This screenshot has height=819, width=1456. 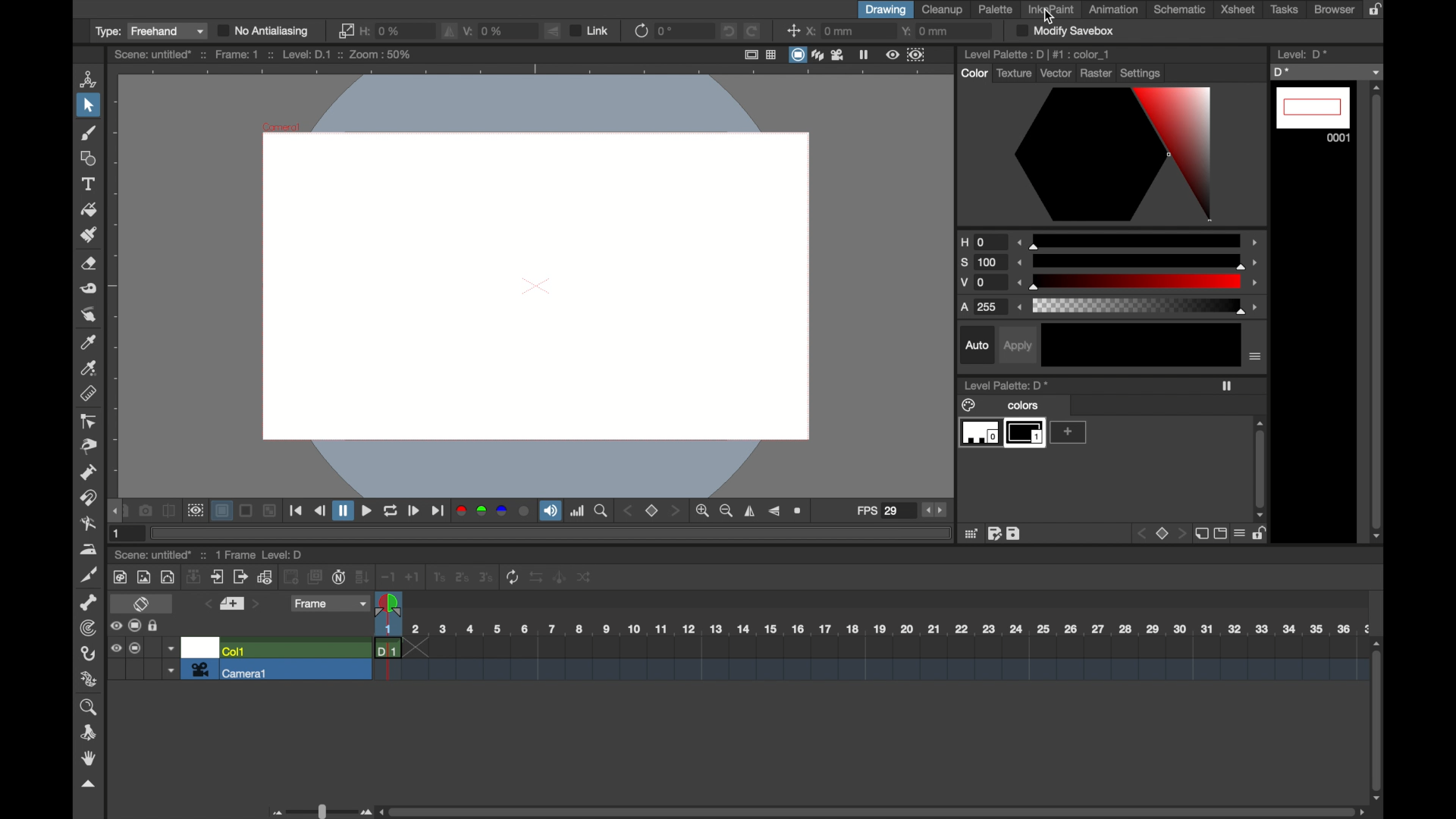 I want to click on screen, so click(x=1220, y=535).